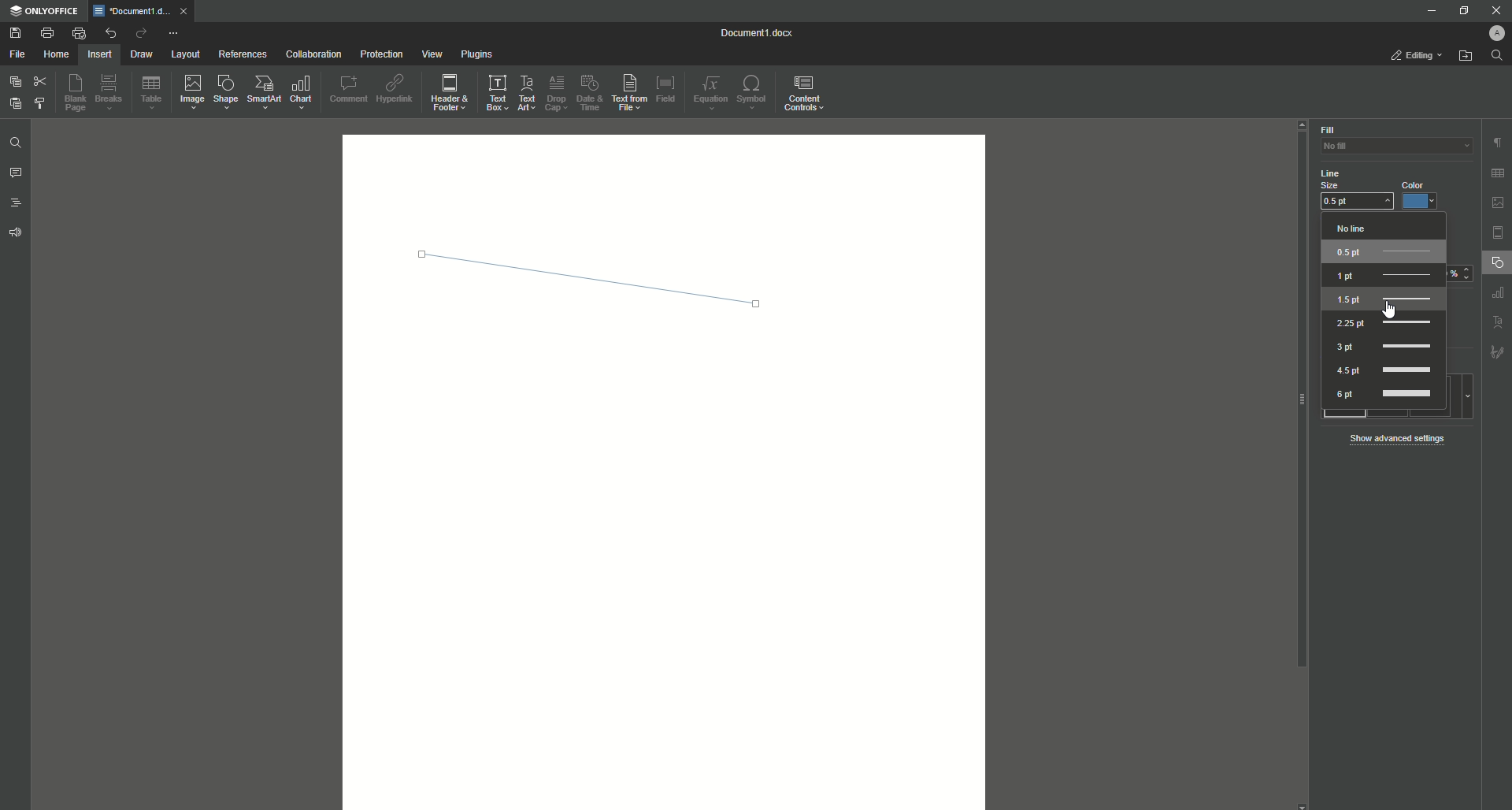 This screenshot has height=810, width=1512. I want to click on 6 pt, so click(1388, 394).